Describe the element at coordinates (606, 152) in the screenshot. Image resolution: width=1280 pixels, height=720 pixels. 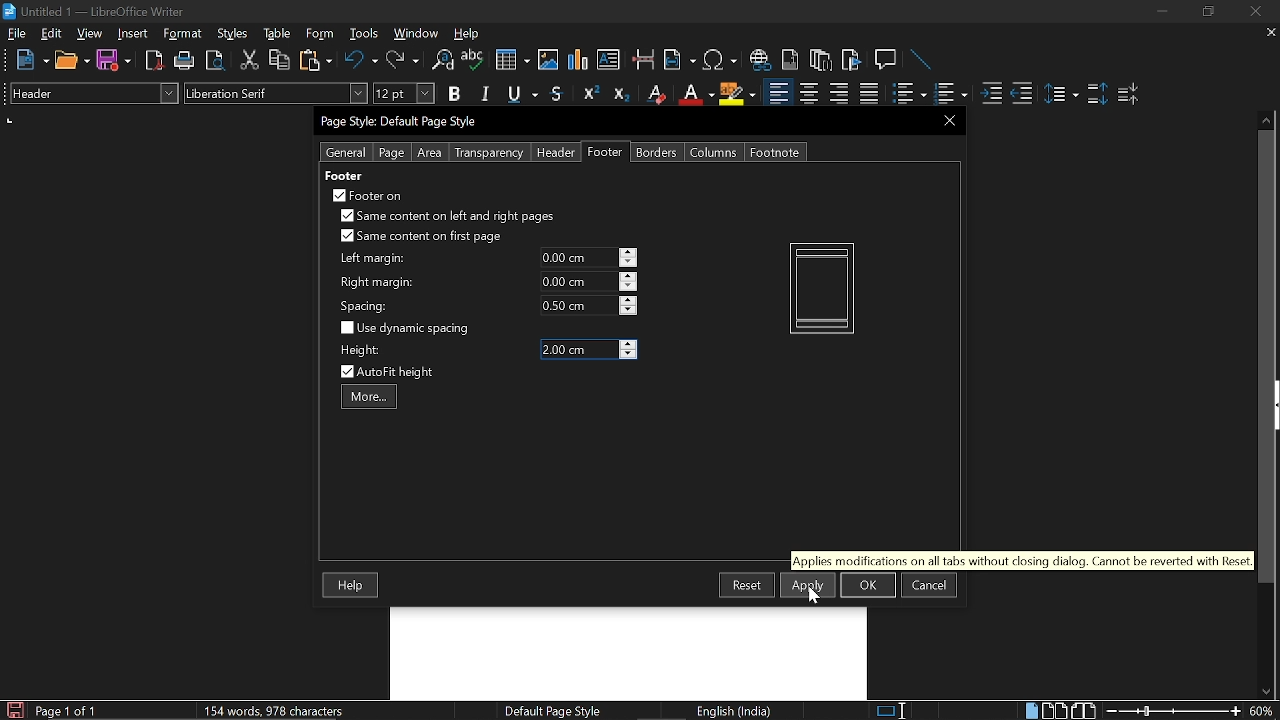
I see `Footer` at that location.